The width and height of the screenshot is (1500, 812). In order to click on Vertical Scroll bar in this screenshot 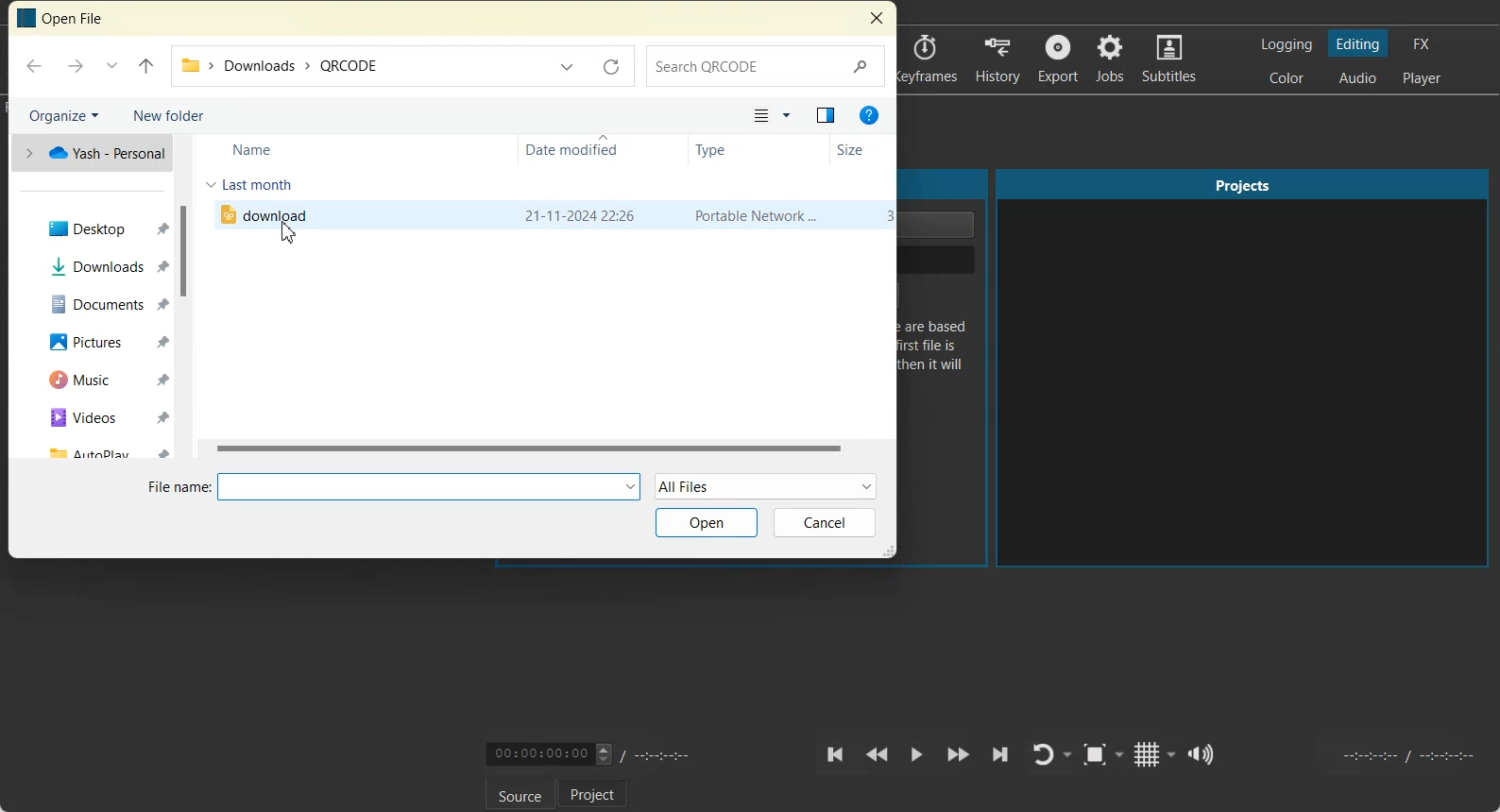, I will do `click(182, 297)`.